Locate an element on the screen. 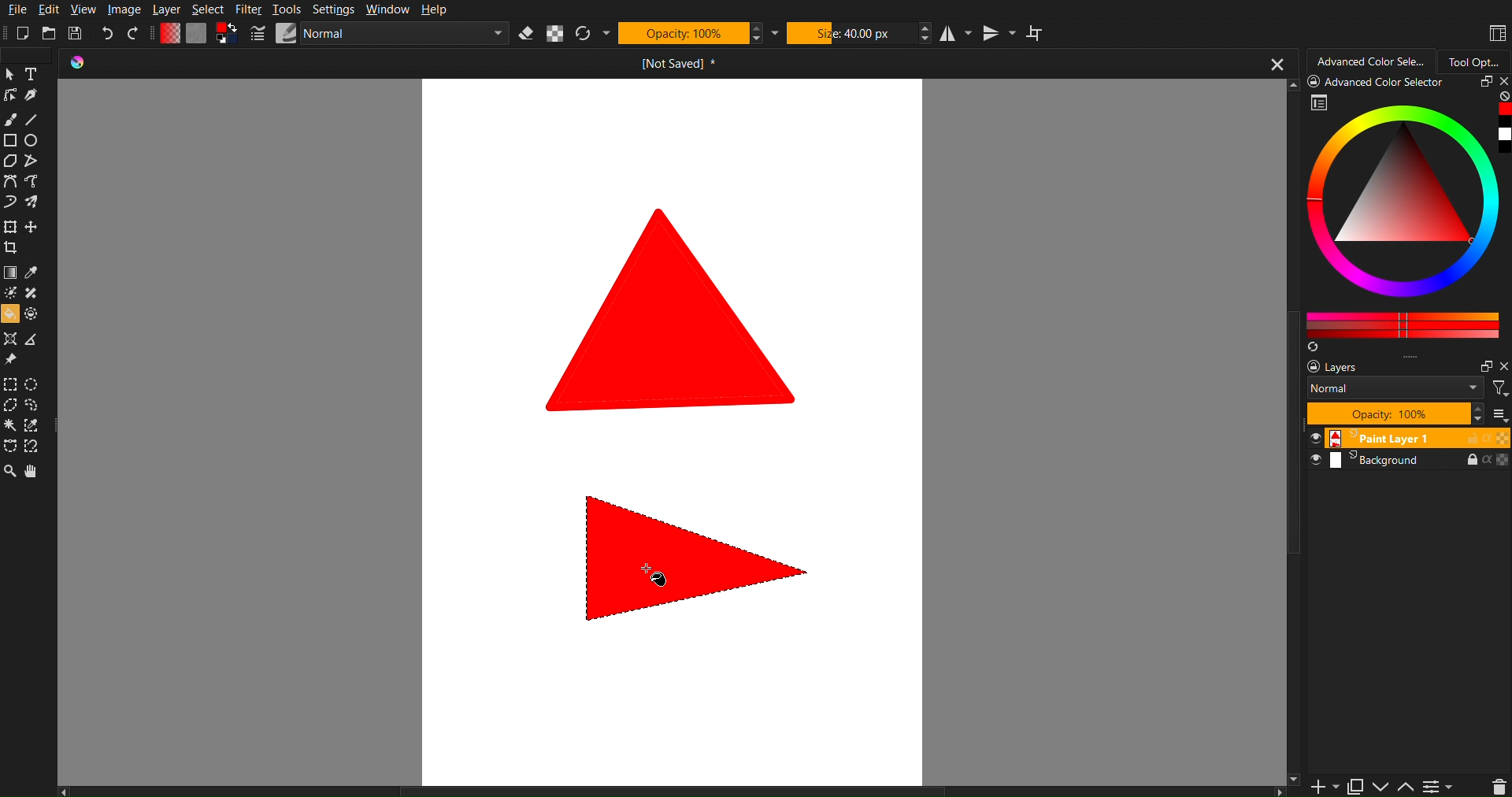 Image resolution: width=1512 pixels, height=797 pixels. Save is located at coordinates (77, 32).